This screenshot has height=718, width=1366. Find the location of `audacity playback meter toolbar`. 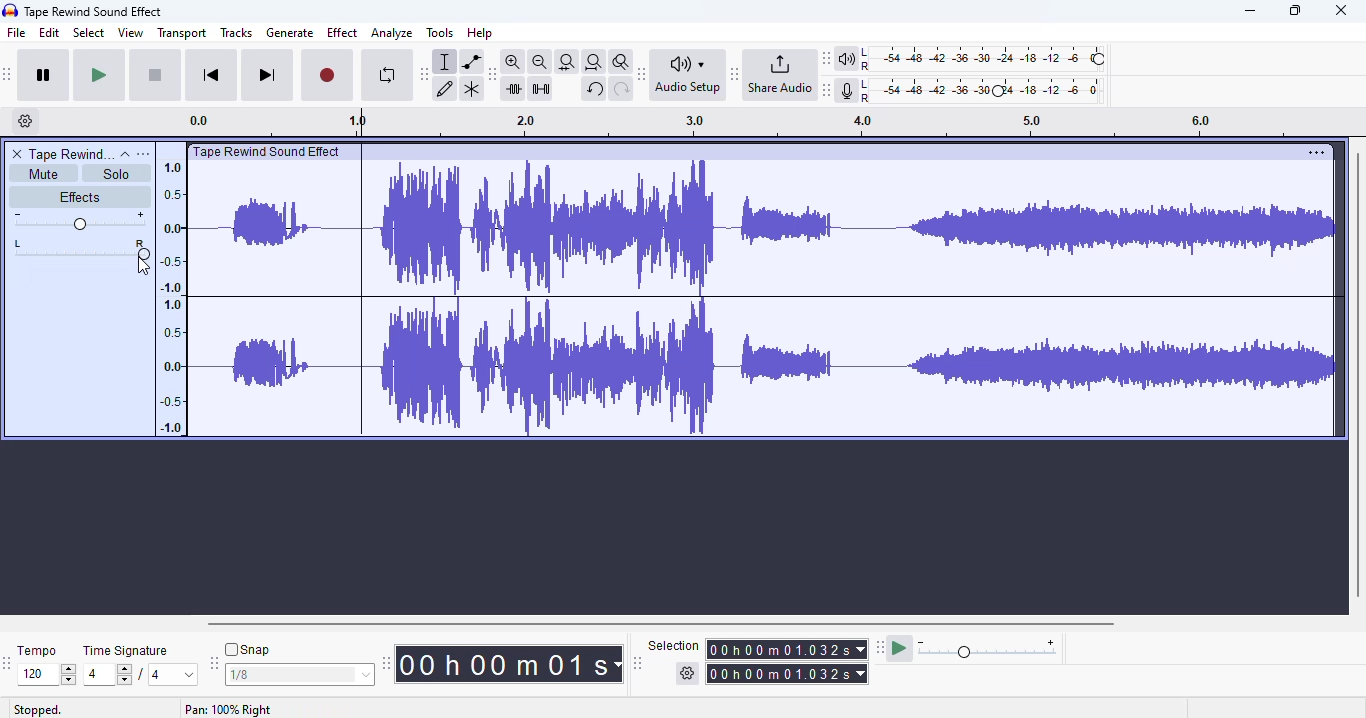

audacity playback meter toolbar is located at coordinates (826, 58).